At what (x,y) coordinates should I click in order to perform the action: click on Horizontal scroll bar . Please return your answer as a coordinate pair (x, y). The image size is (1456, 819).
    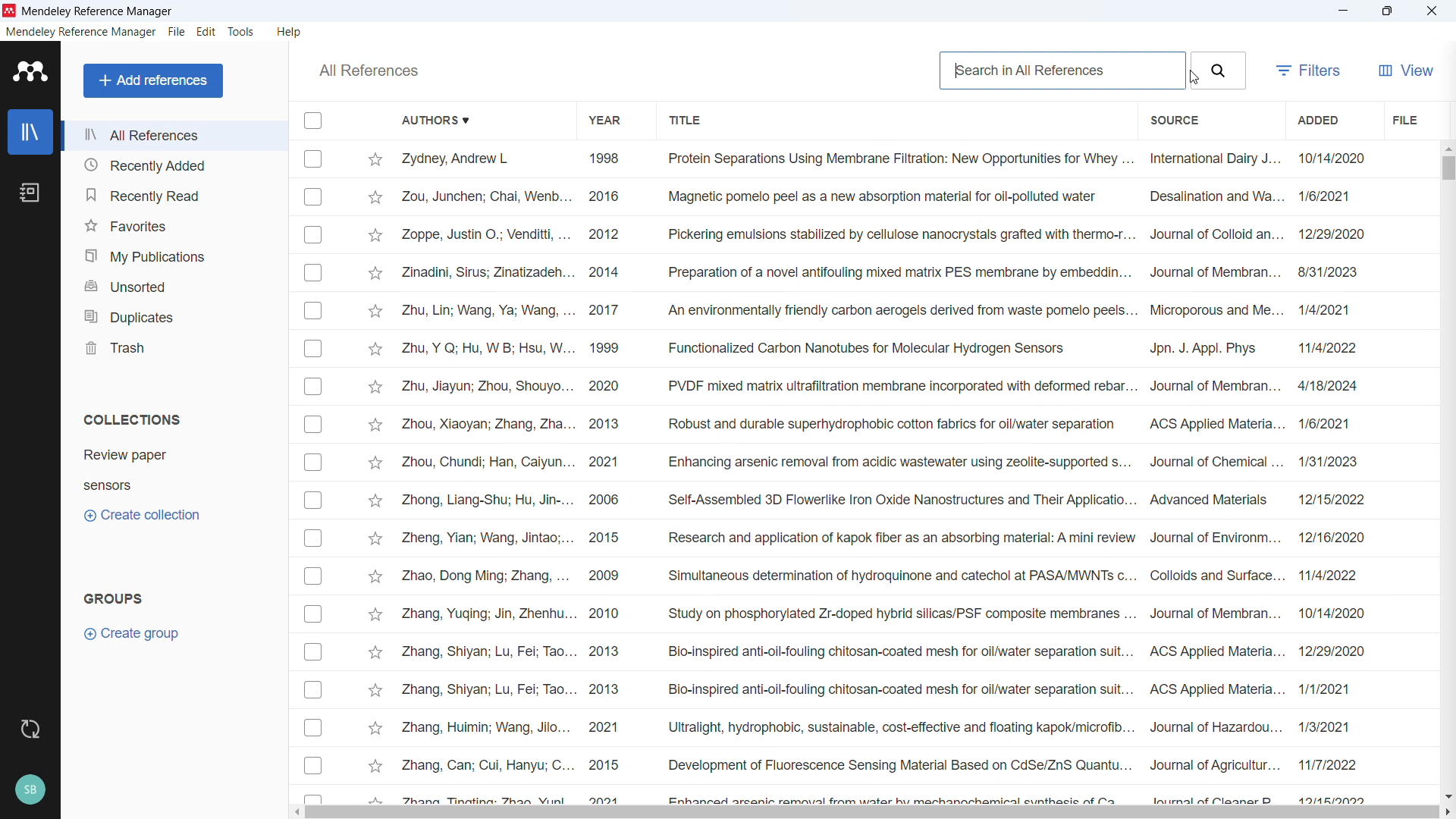
    Looking at the image, I should click on (872, 813).